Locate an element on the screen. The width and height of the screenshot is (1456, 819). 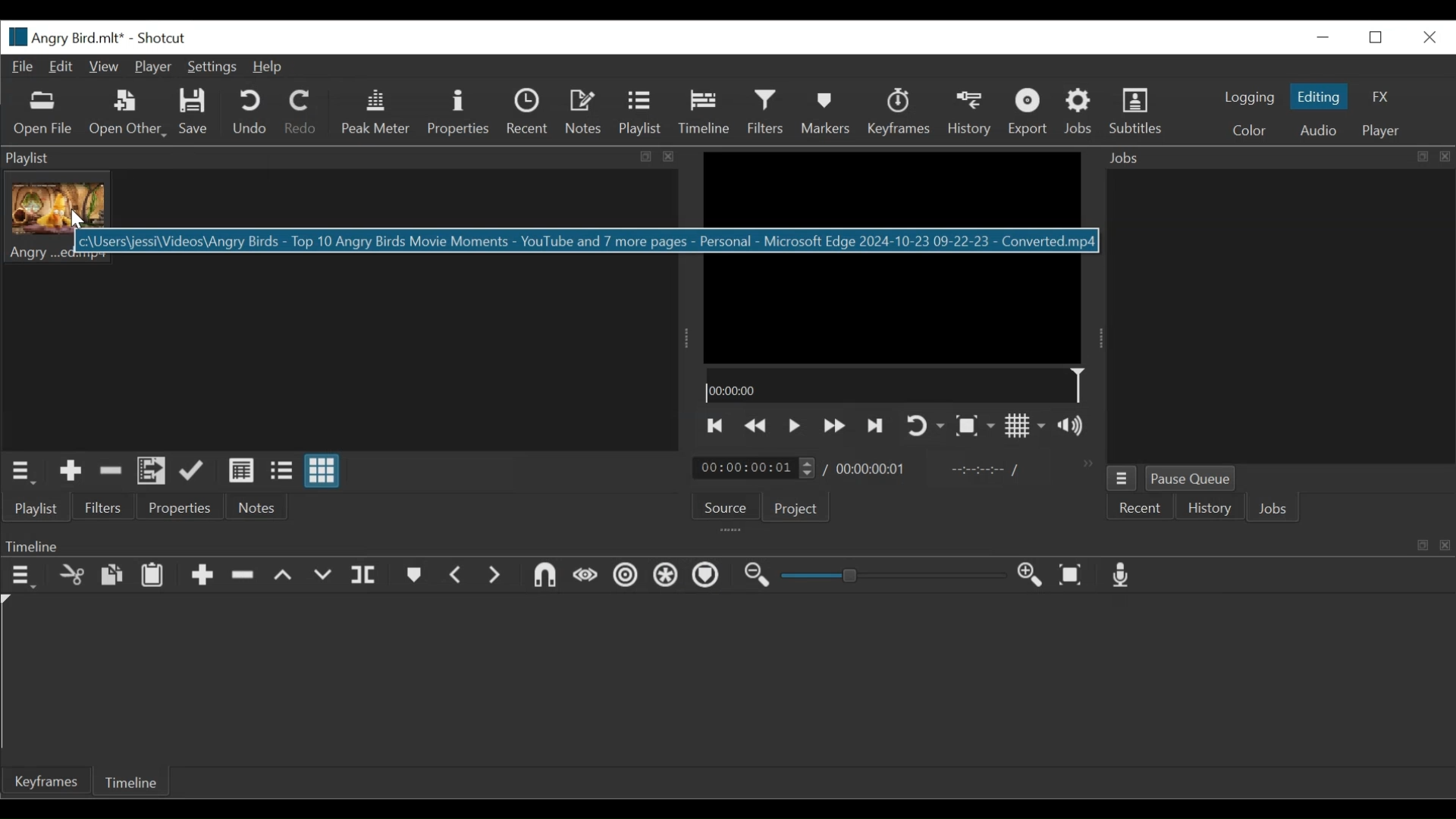
player is located at coordinates (1381, 130).